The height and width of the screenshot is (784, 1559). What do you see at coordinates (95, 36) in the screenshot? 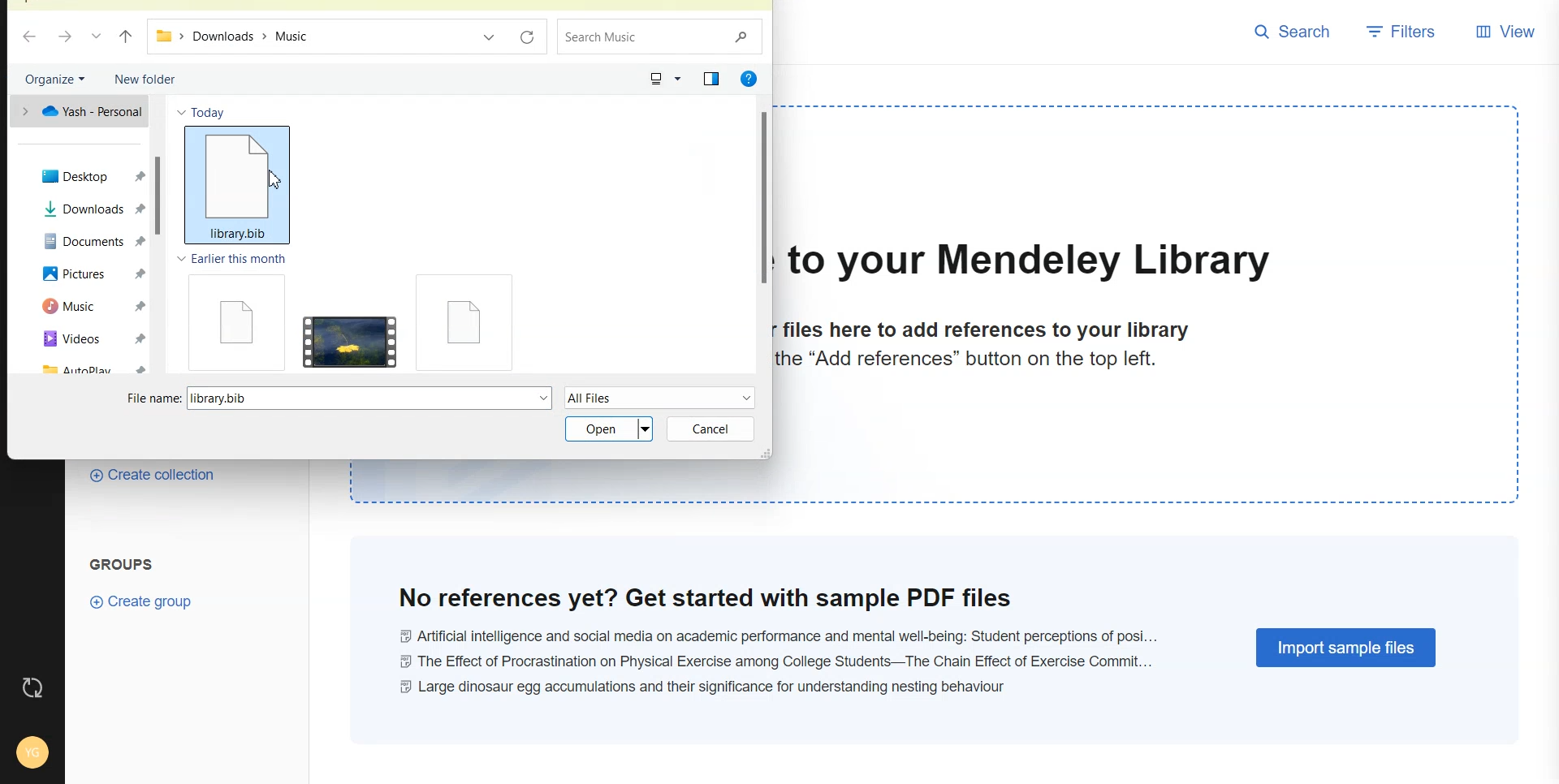
I see `Recent file` at bounding box center [95, 36].